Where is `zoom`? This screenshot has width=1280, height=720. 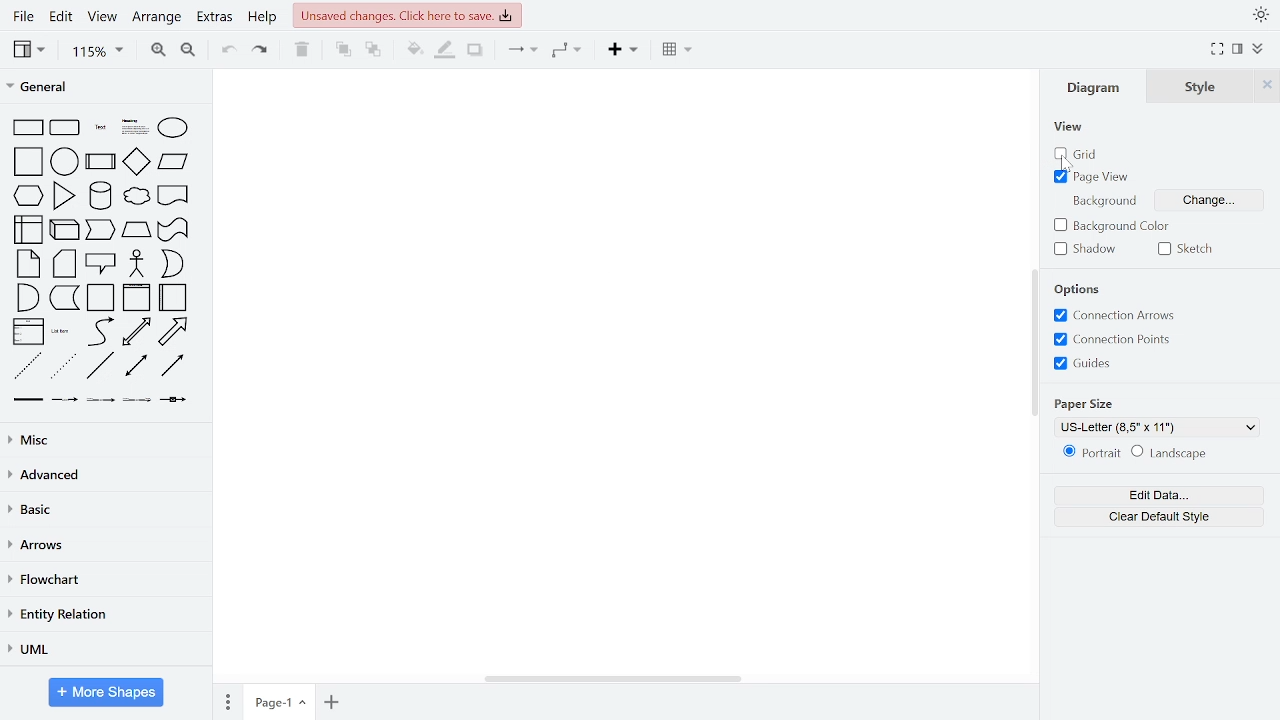 zoom is located at coordinates (97, 51).